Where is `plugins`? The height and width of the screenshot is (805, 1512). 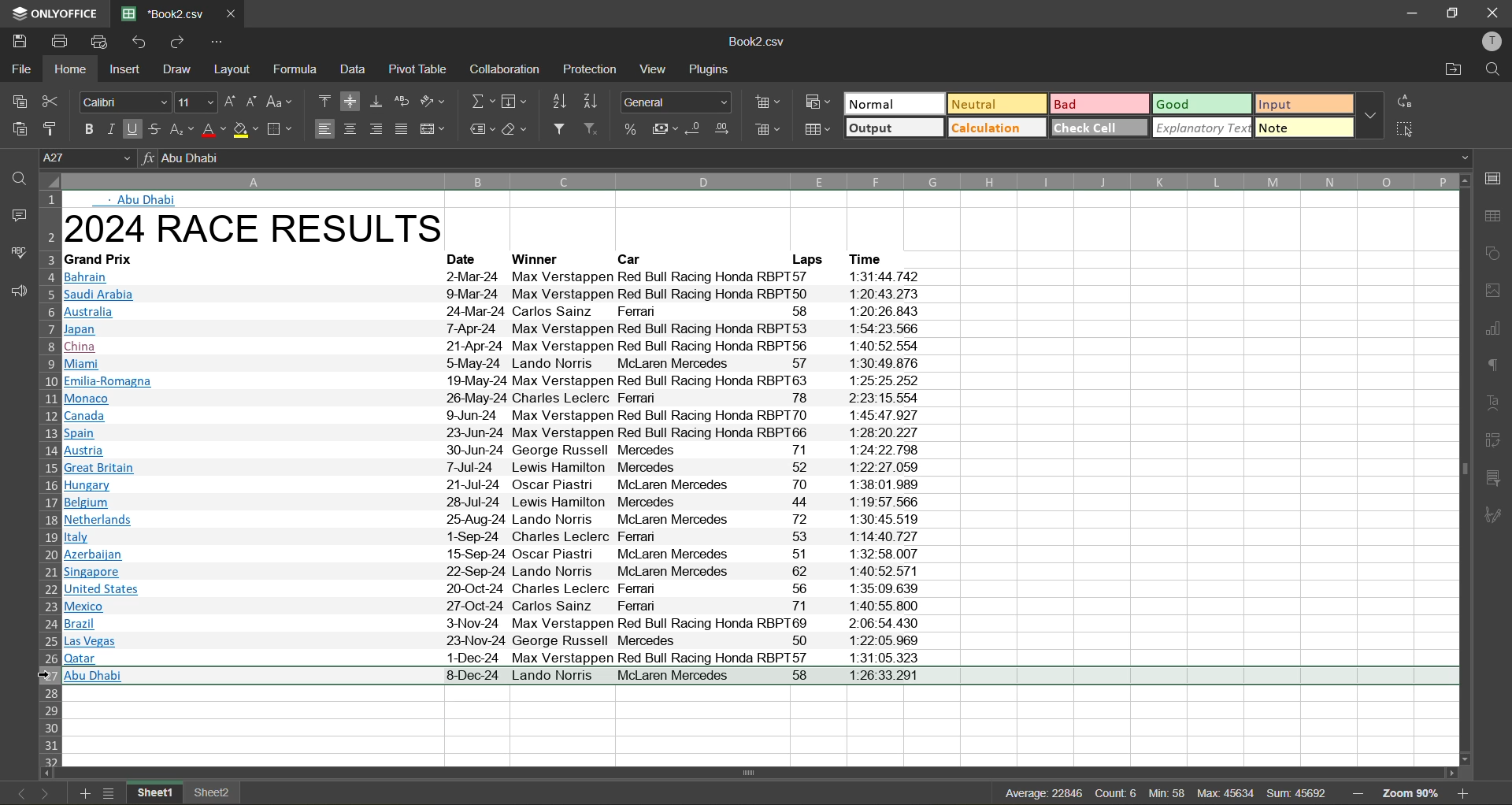
plugins is located at coordinates (712, 70).